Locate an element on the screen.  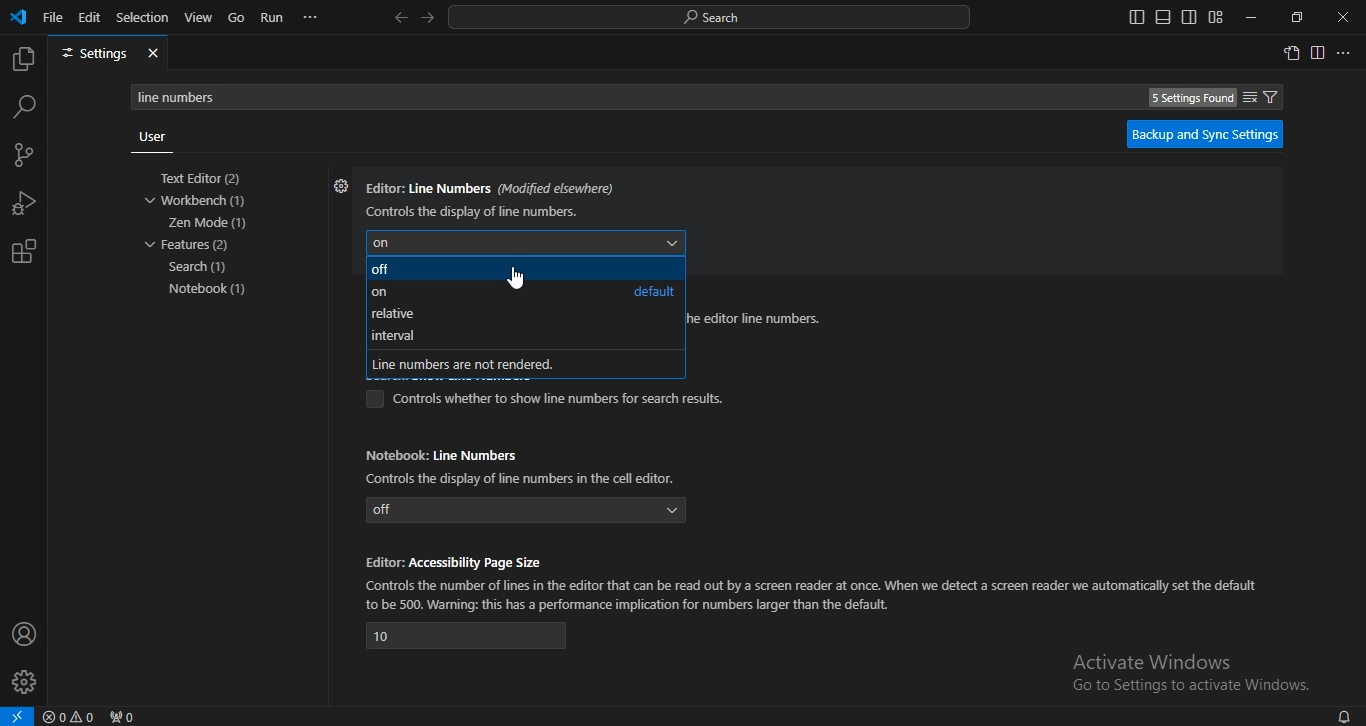
4 is located at coordinates (467, 636).